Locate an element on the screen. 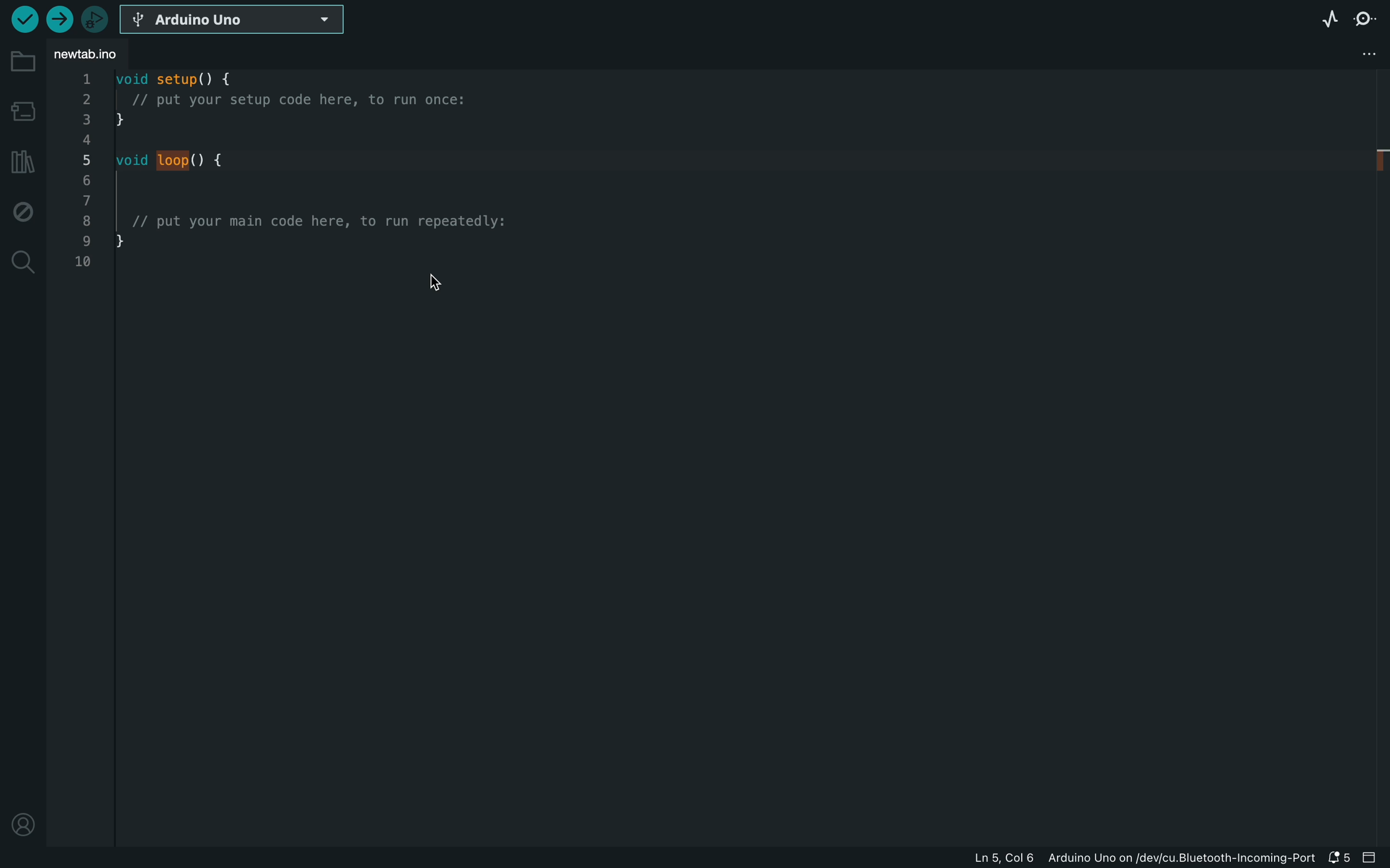 The height and width of the screenshot is (868, 1390). close slide bar is located at coordinates (1373, 858).